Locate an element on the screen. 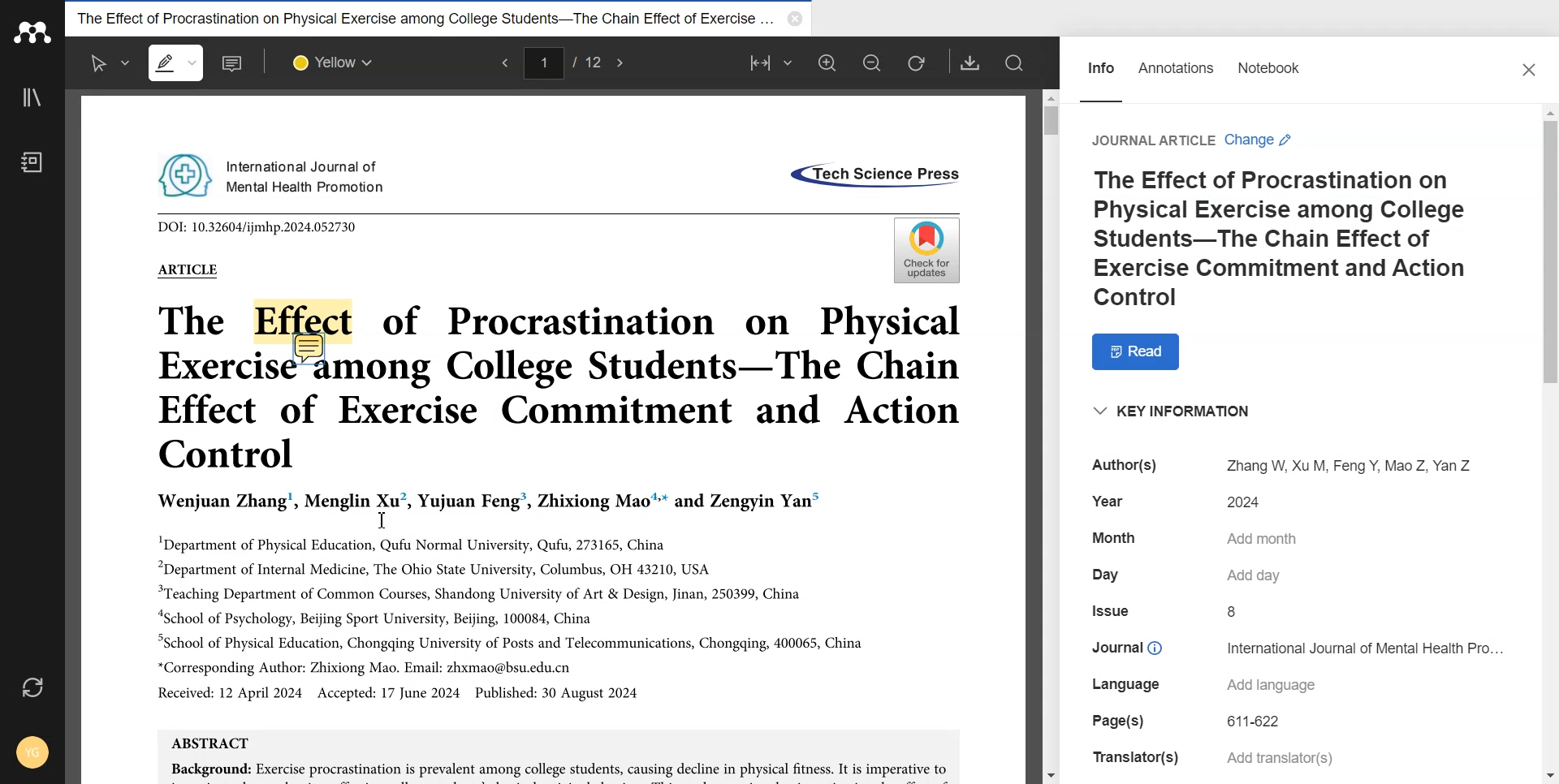 Image resolution: width=1559 pixels, height=784 pixels. Author(s) Zhang W, Xu M, Feng Y, Mao Z, Yan Z is located at coordinates (1273, 465).